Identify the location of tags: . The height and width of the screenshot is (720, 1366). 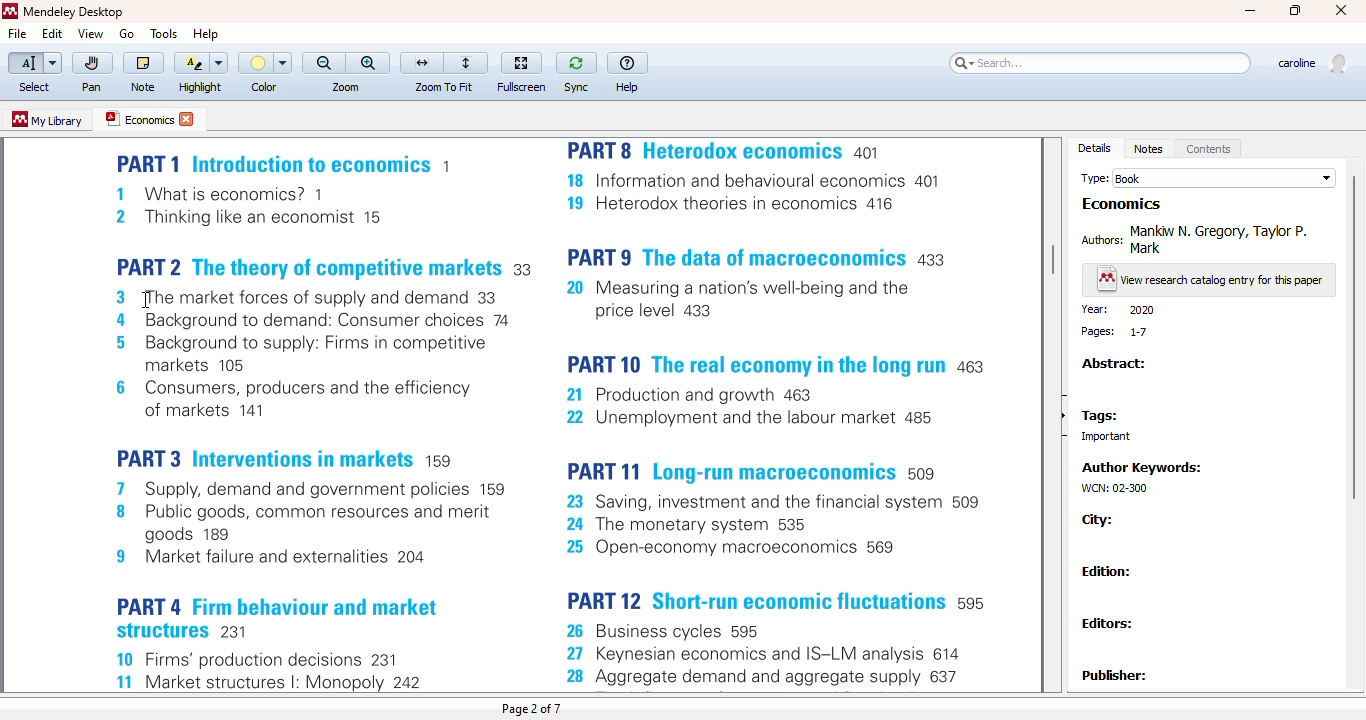
(1099, 417).